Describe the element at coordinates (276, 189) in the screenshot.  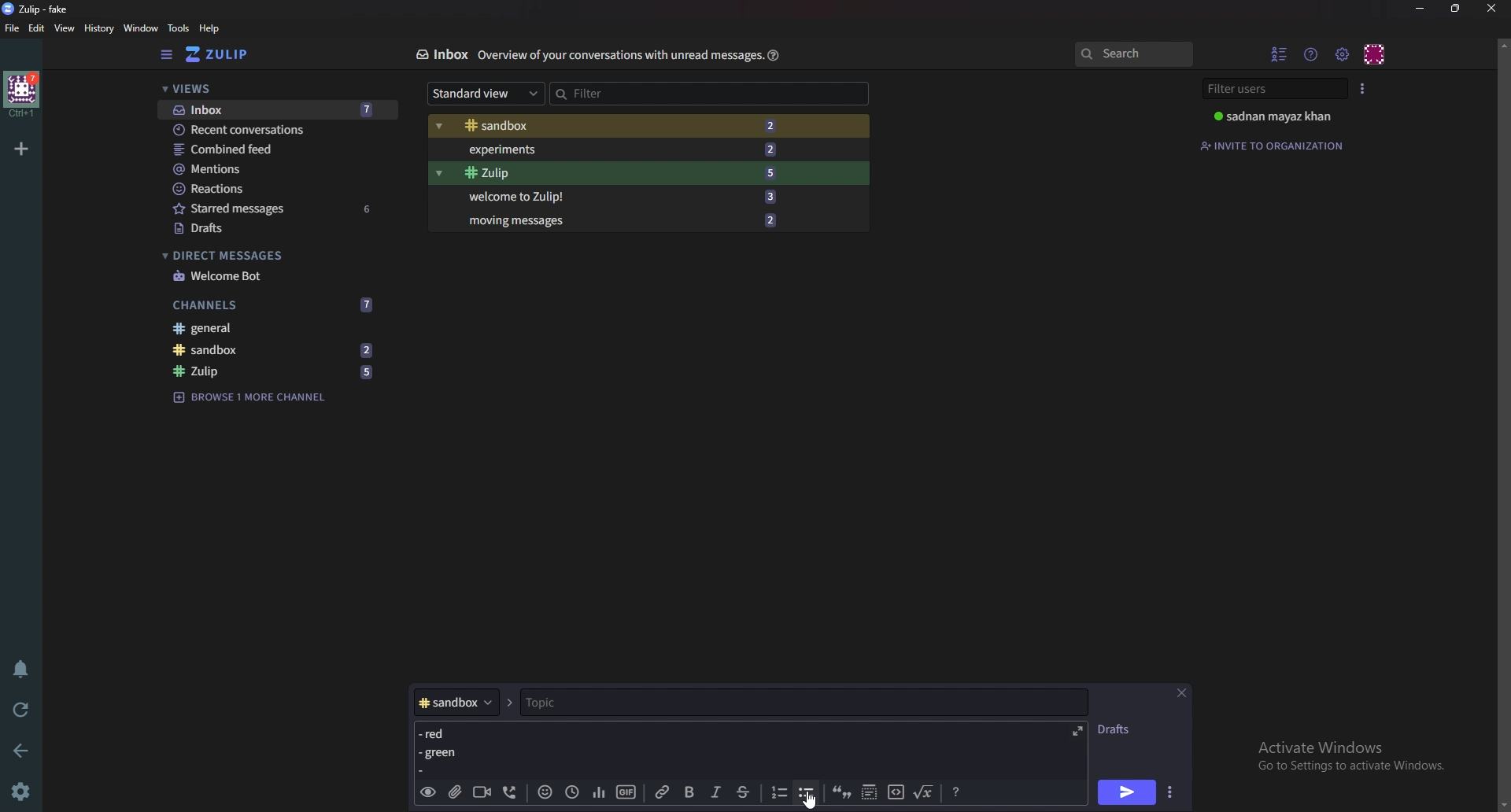
I see `Reactions` at that location.